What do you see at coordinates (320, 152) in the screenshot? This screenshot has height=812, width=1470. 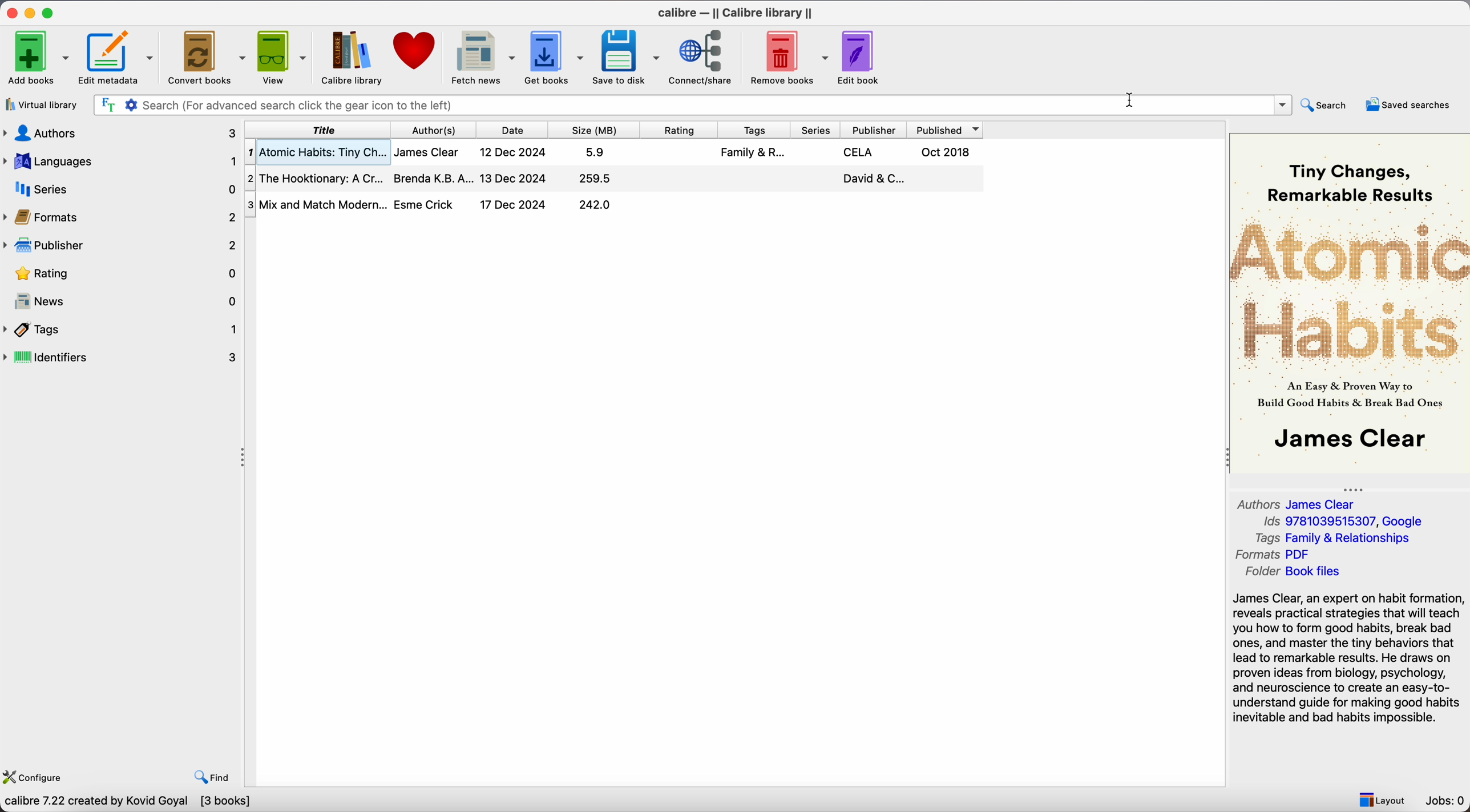 I see `Atomic Habits: Tiny Ch...` at bounding box center [320, 152].